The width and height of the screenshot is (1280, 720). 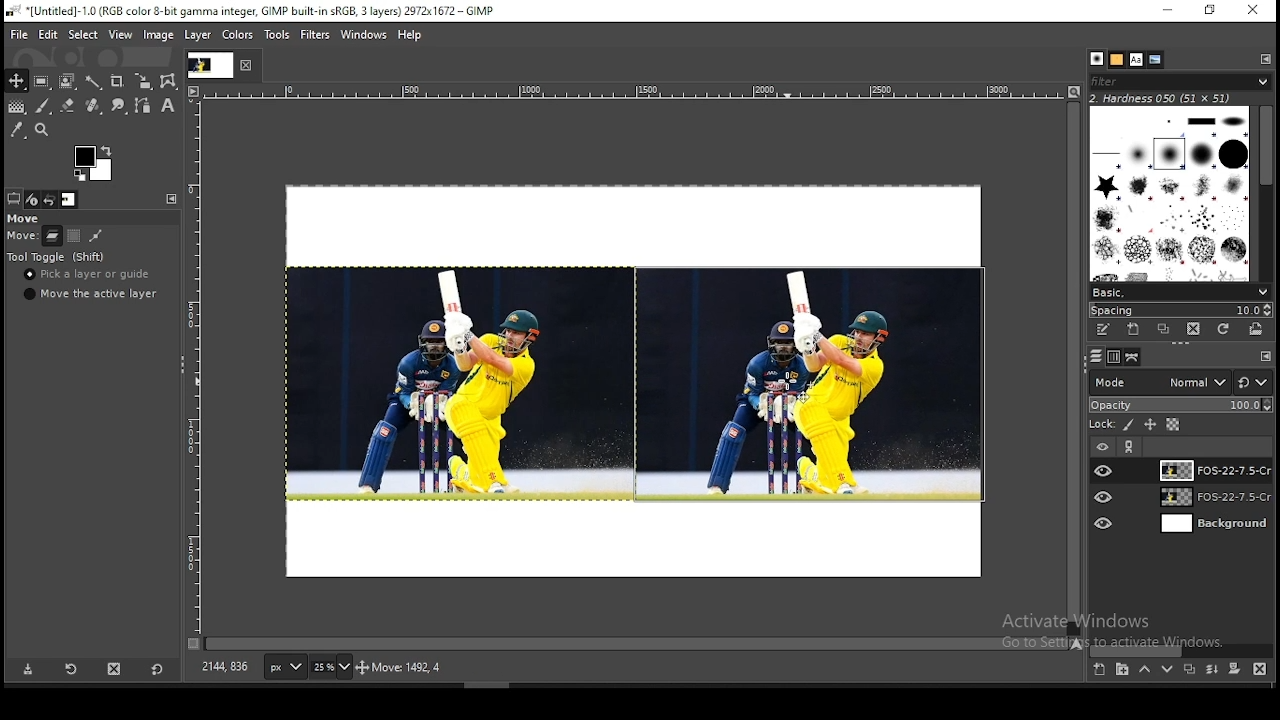 What do you see at coordinates (93, 163) in the screenshot?
I see `colors` at bounding box center [93, 163].